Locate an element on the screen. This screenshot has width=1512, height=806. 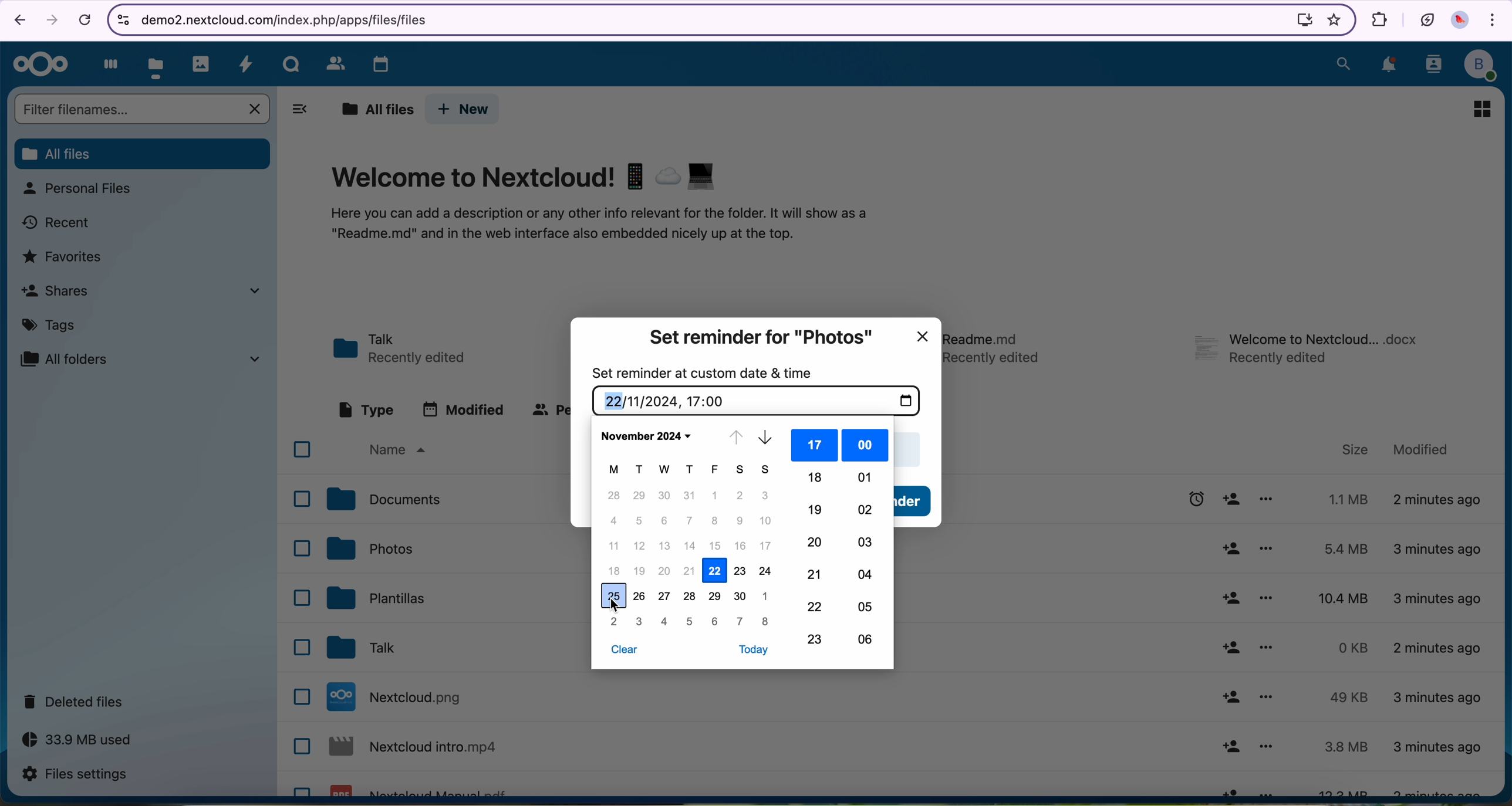
Nextcloud pdf is located at coordinates (423, 788).